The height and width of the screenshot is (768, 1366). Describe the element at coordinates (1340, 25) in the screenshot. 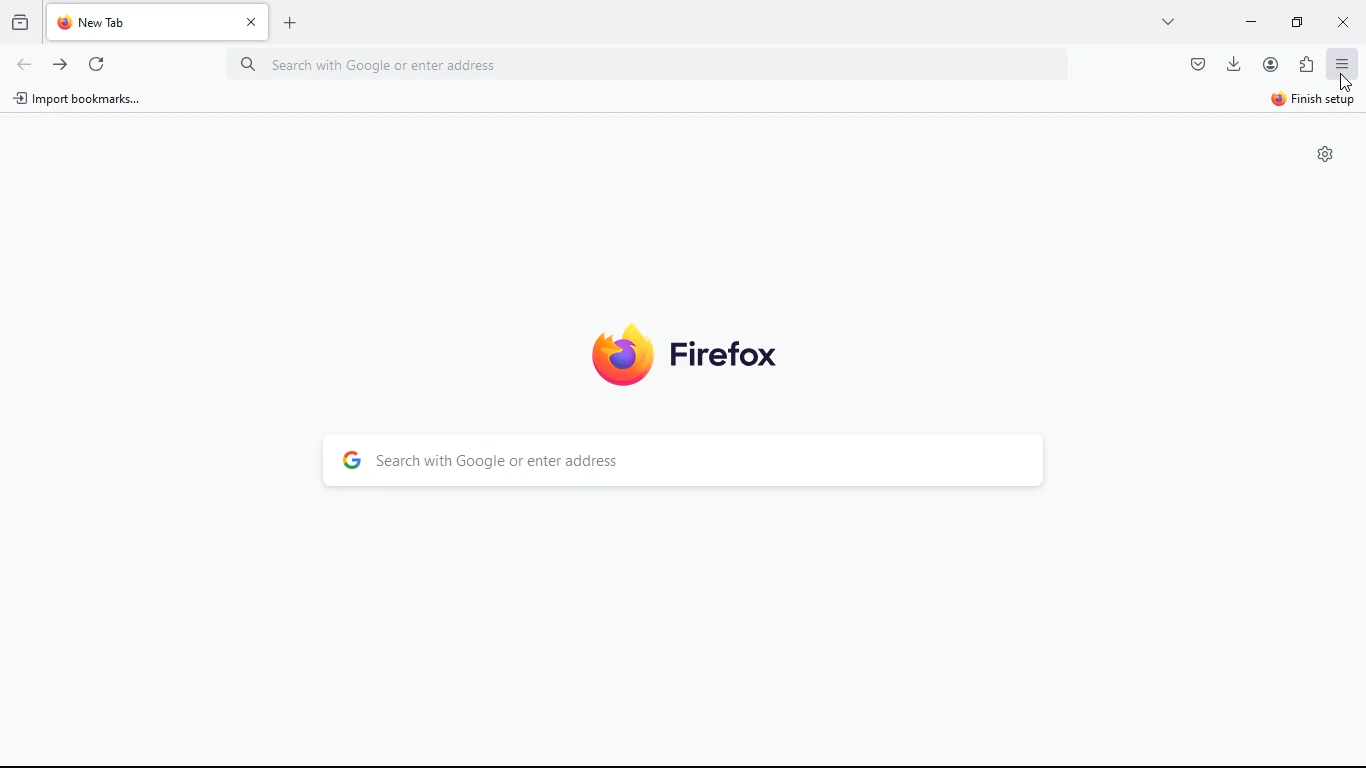

I see `close` at that location.